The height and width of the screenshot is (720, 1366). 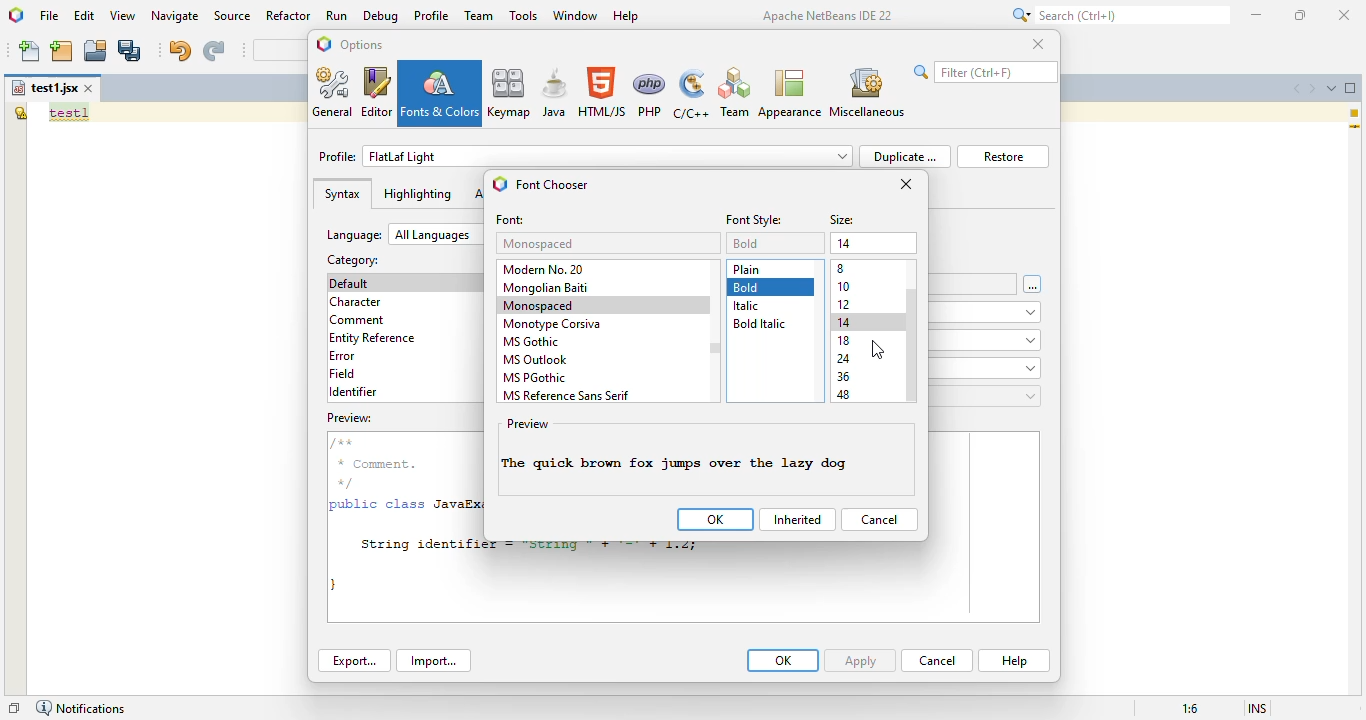 What do you see at coordinates (845, 340) in the screenshot?
I see `18` at bounding box center [845, 340].